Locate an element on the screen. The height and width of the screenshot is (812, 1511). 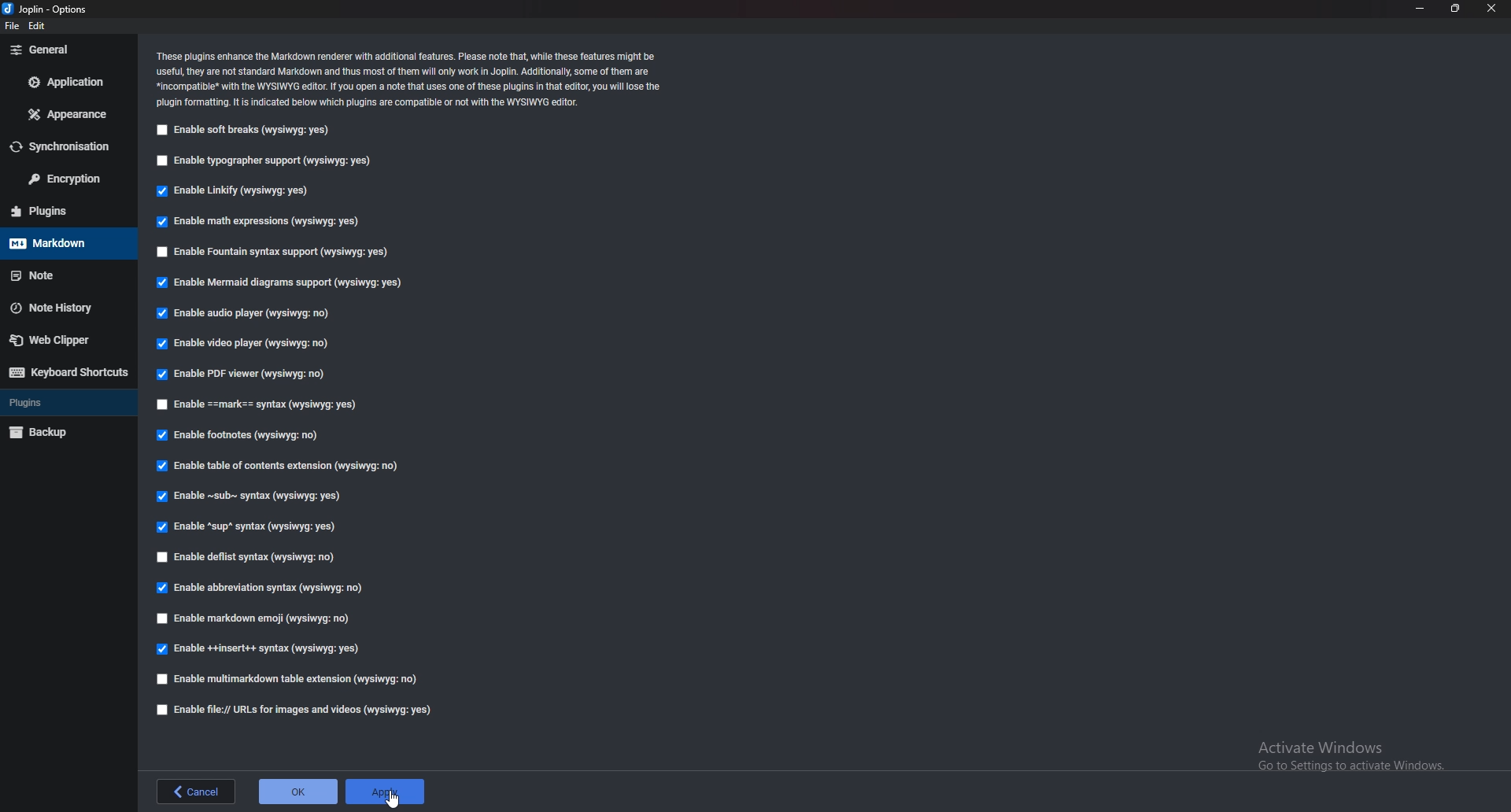
apply is located at coordinates (383, 791).